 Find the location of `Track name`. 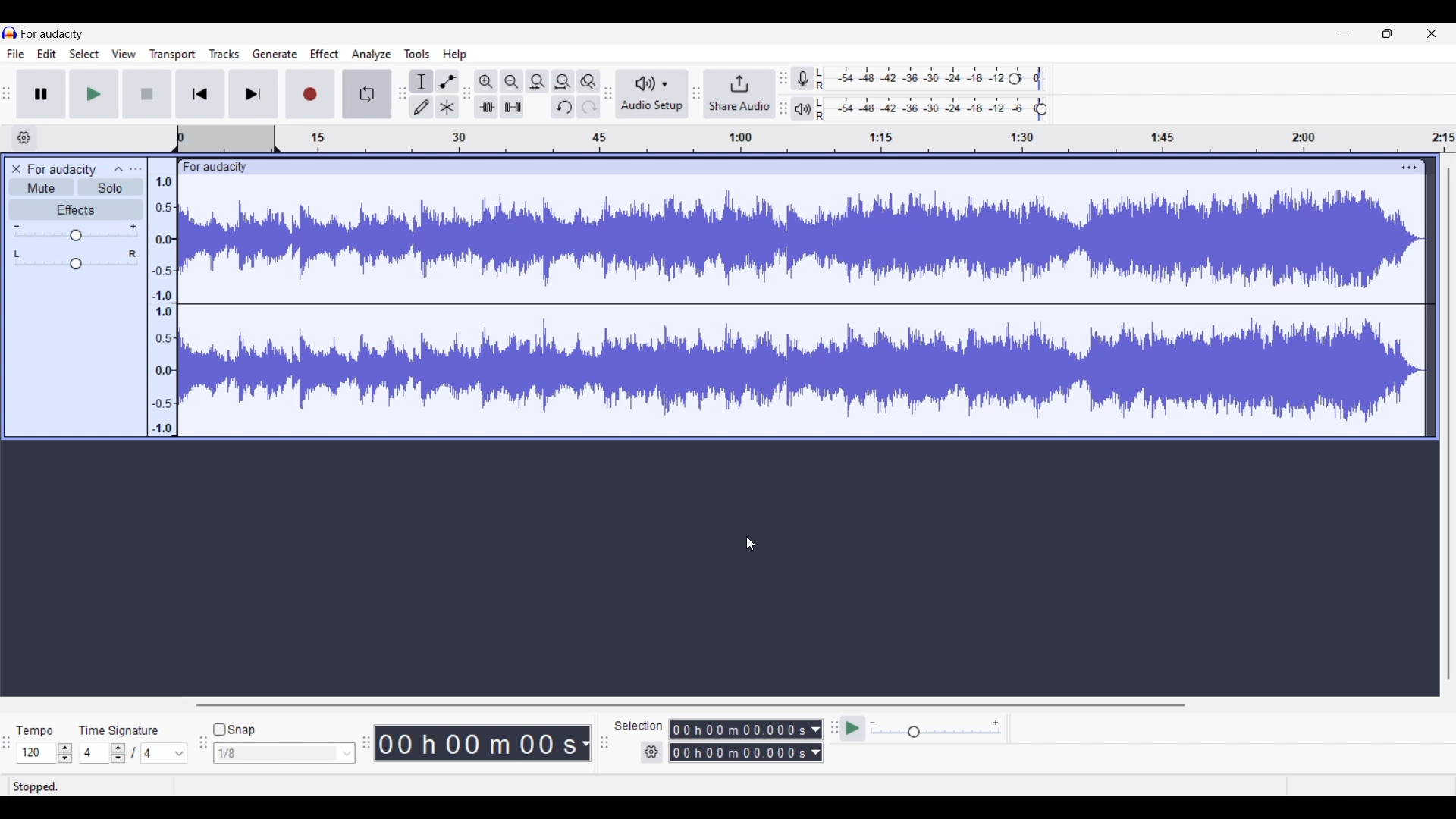

Track name is located at coordinates (215, 167).